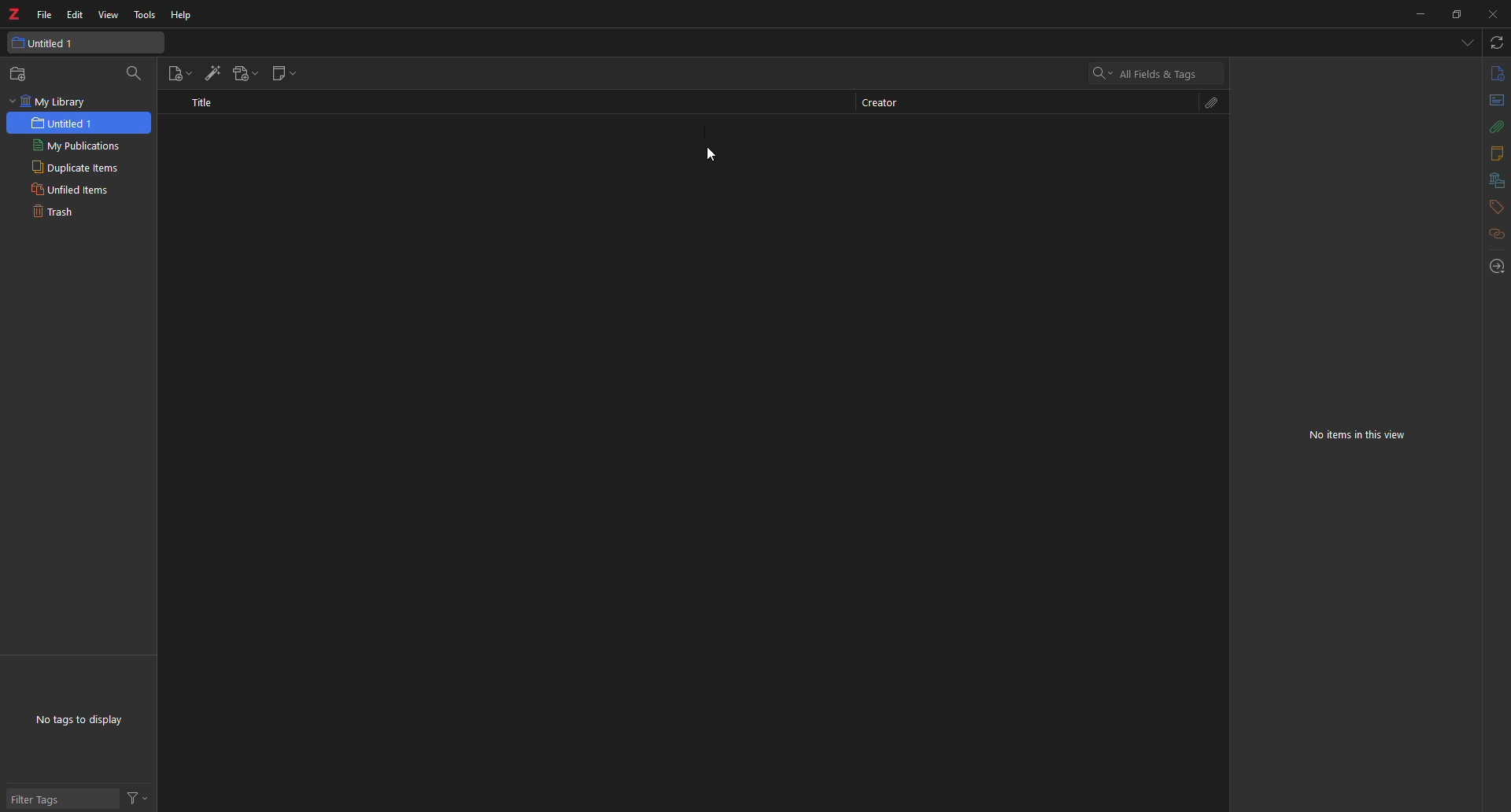  I want to click on duplicate items, so click(78, 167).